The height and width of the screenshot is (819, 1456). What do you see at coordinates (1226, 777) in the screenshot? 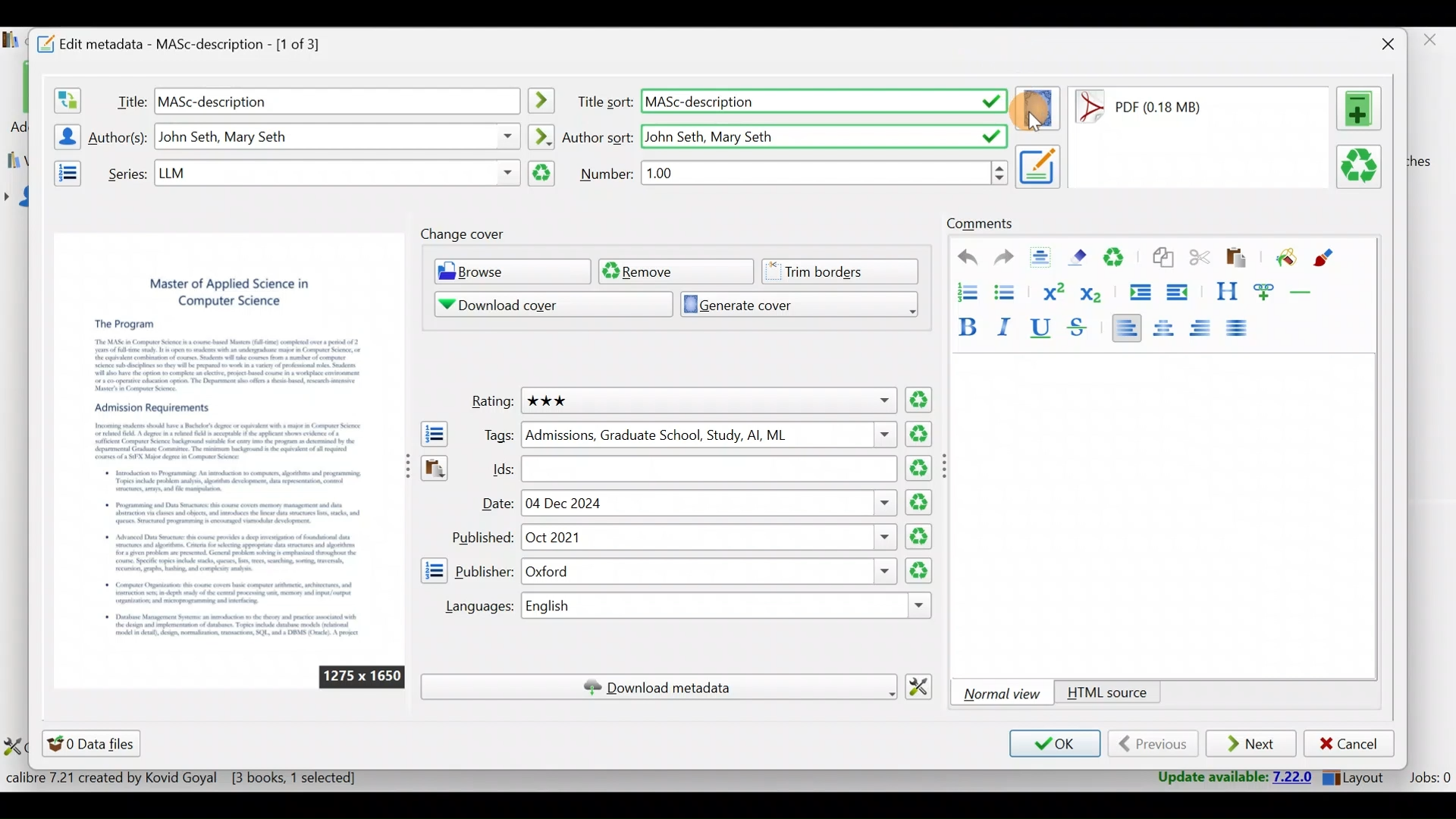
I see `Update` at bounding box center [1226, 777].